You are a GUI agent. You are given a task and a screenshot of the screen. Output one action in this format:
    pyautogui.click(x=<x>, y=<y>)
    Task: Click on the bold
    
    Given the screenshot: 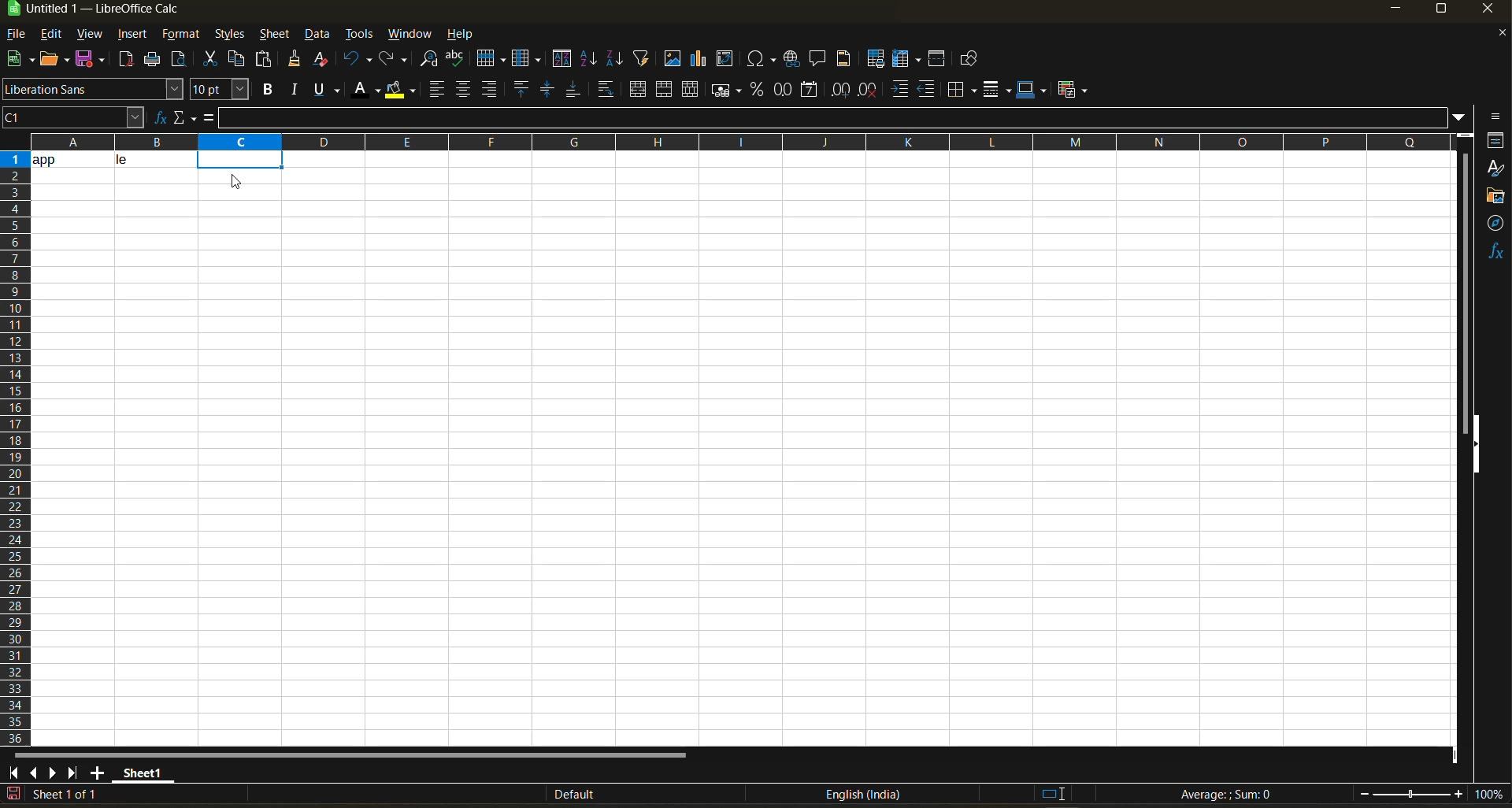 What is the action you would take?
    pyautogui.click(x=265, y=90)
    